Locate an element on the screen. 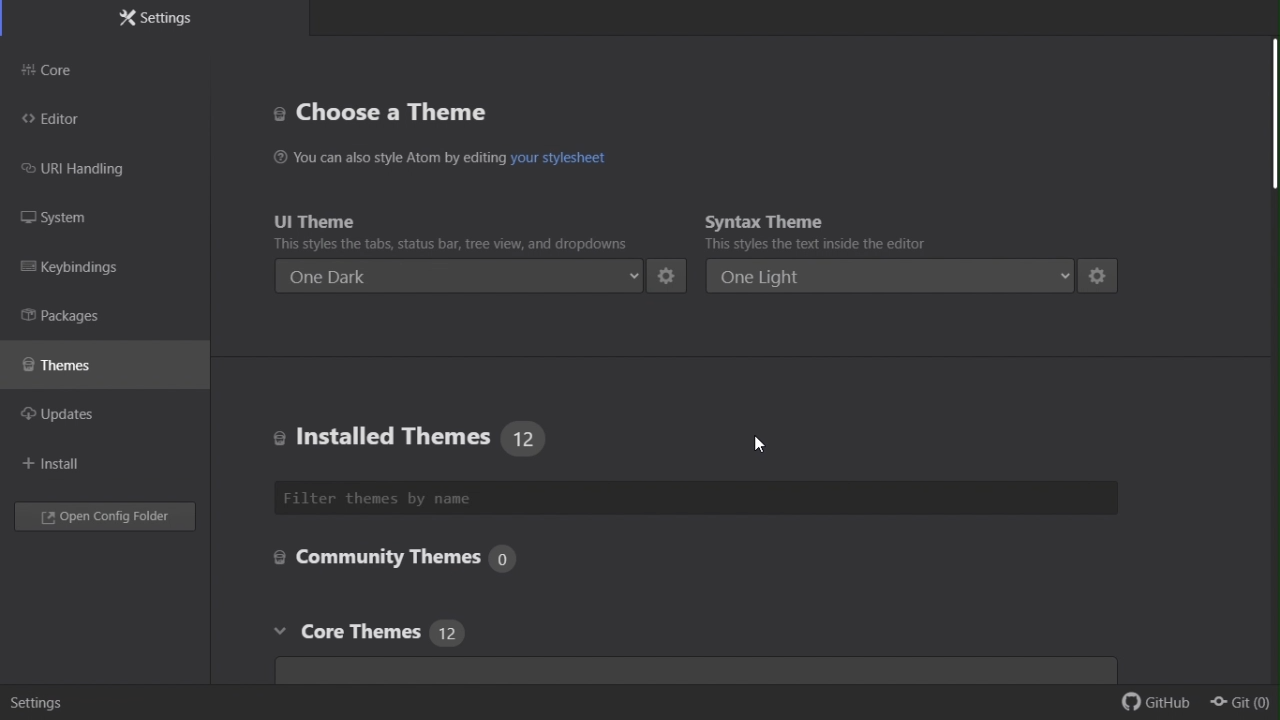 The image size is (1280, 720). Settings. is located at coordinates (39, 702).